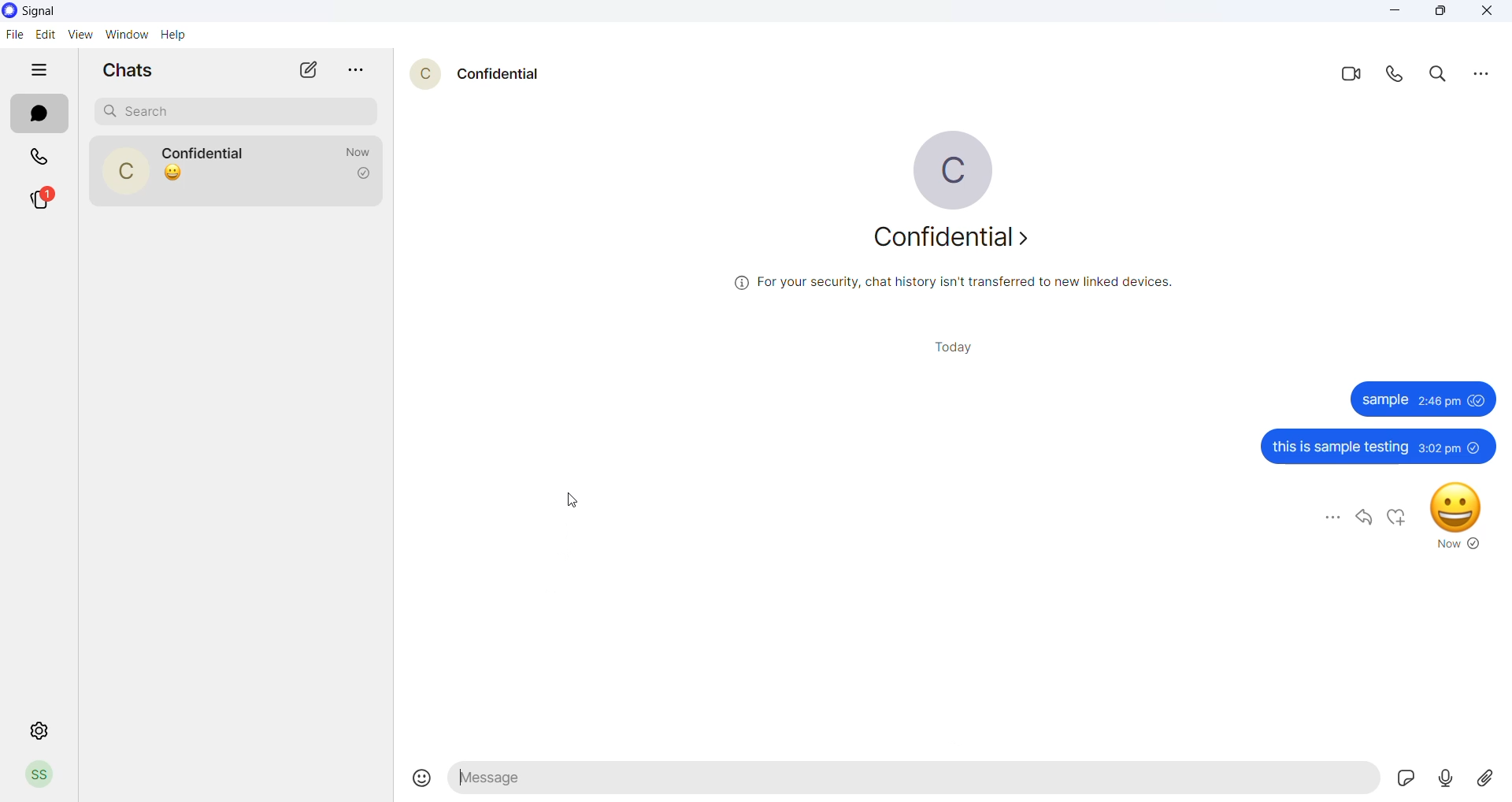 The height and width of the screenshot is (802, 1512). I want to click on share, so click(1363, 516).